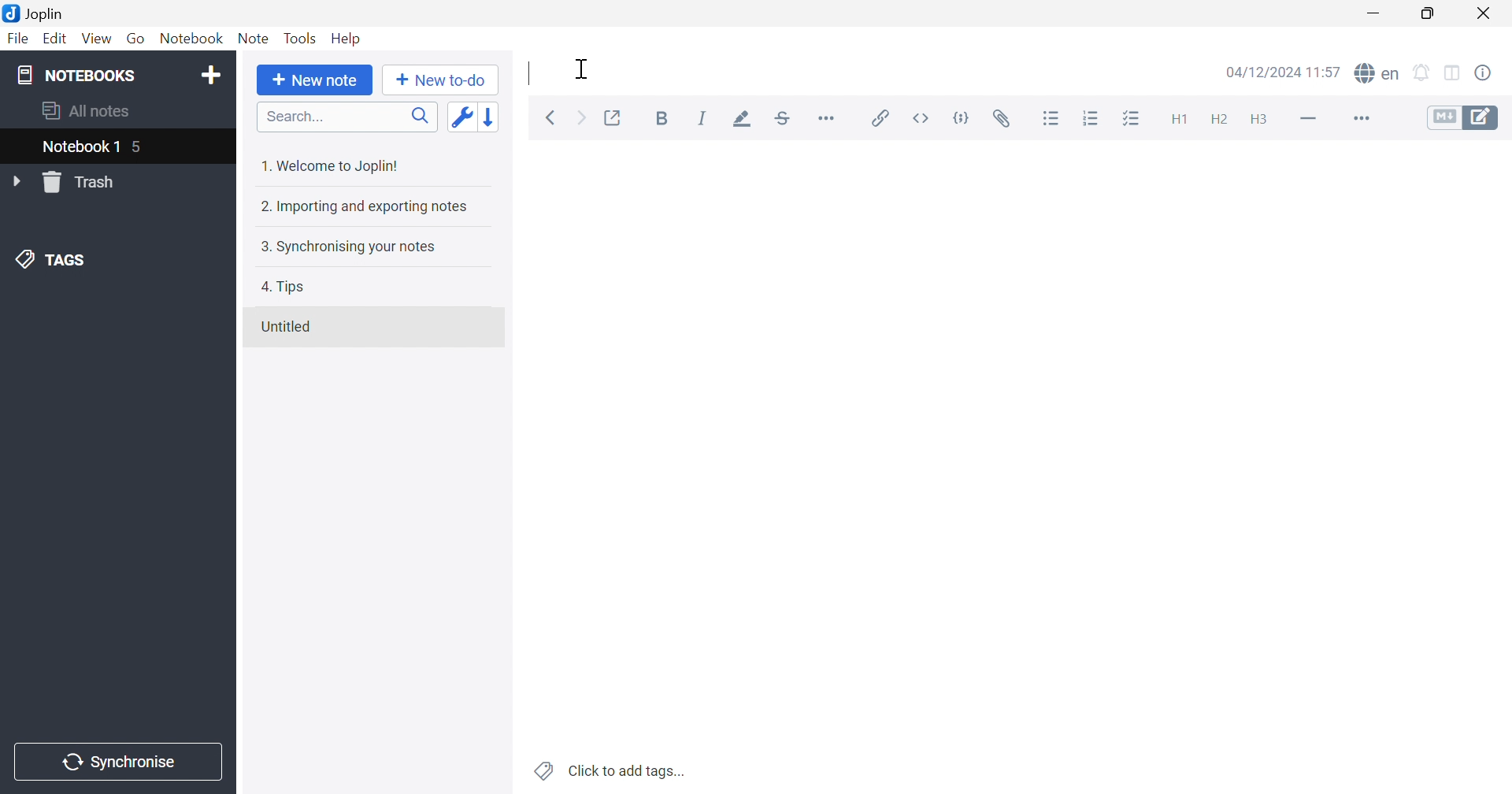  Describe the element at coordinates (348, 118) in the screenshot. I see `Search` at that location.